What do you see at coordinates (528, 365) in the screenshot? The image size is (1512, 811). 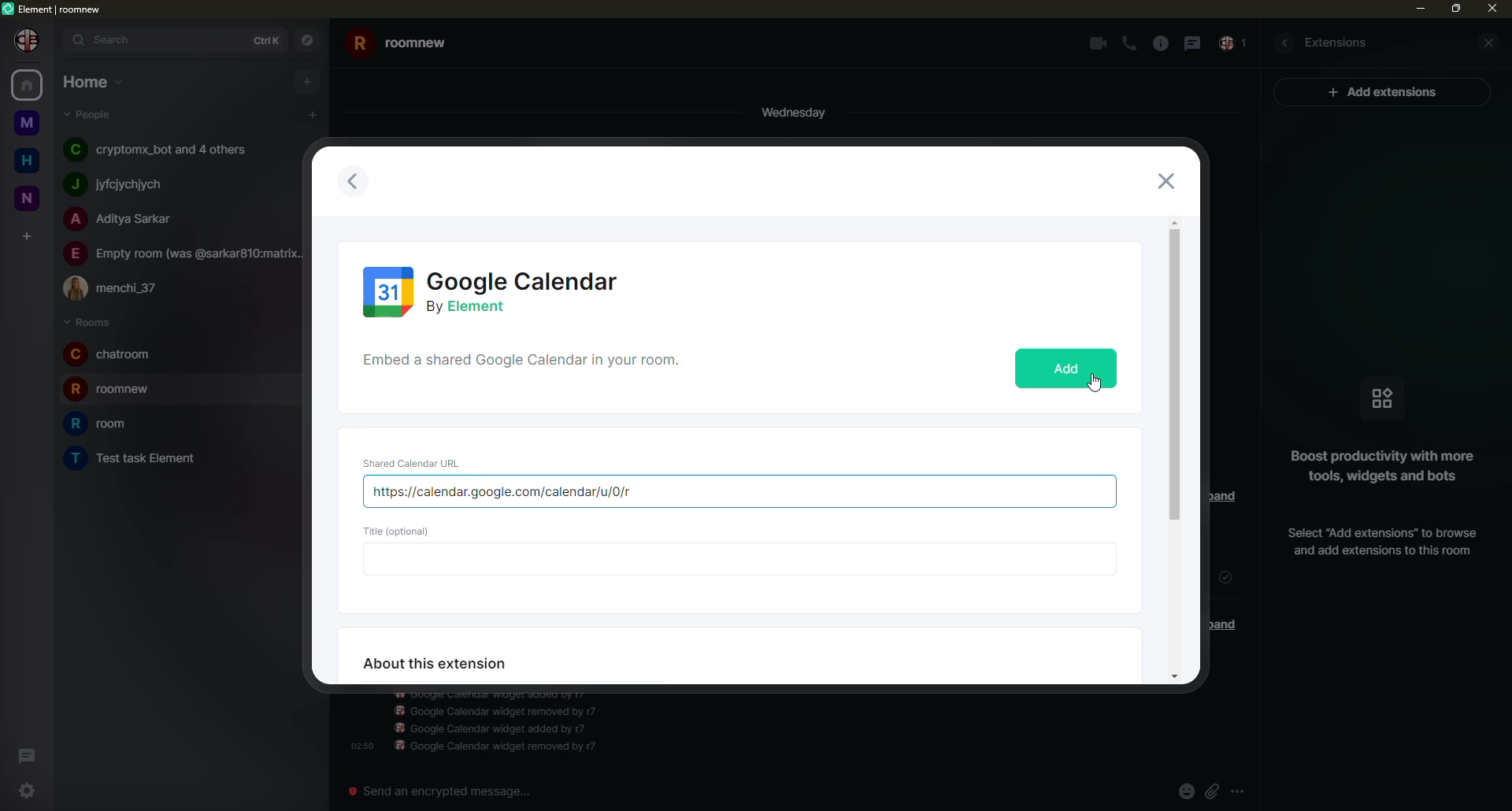 I see `shared` at bounding box center [528, 365].